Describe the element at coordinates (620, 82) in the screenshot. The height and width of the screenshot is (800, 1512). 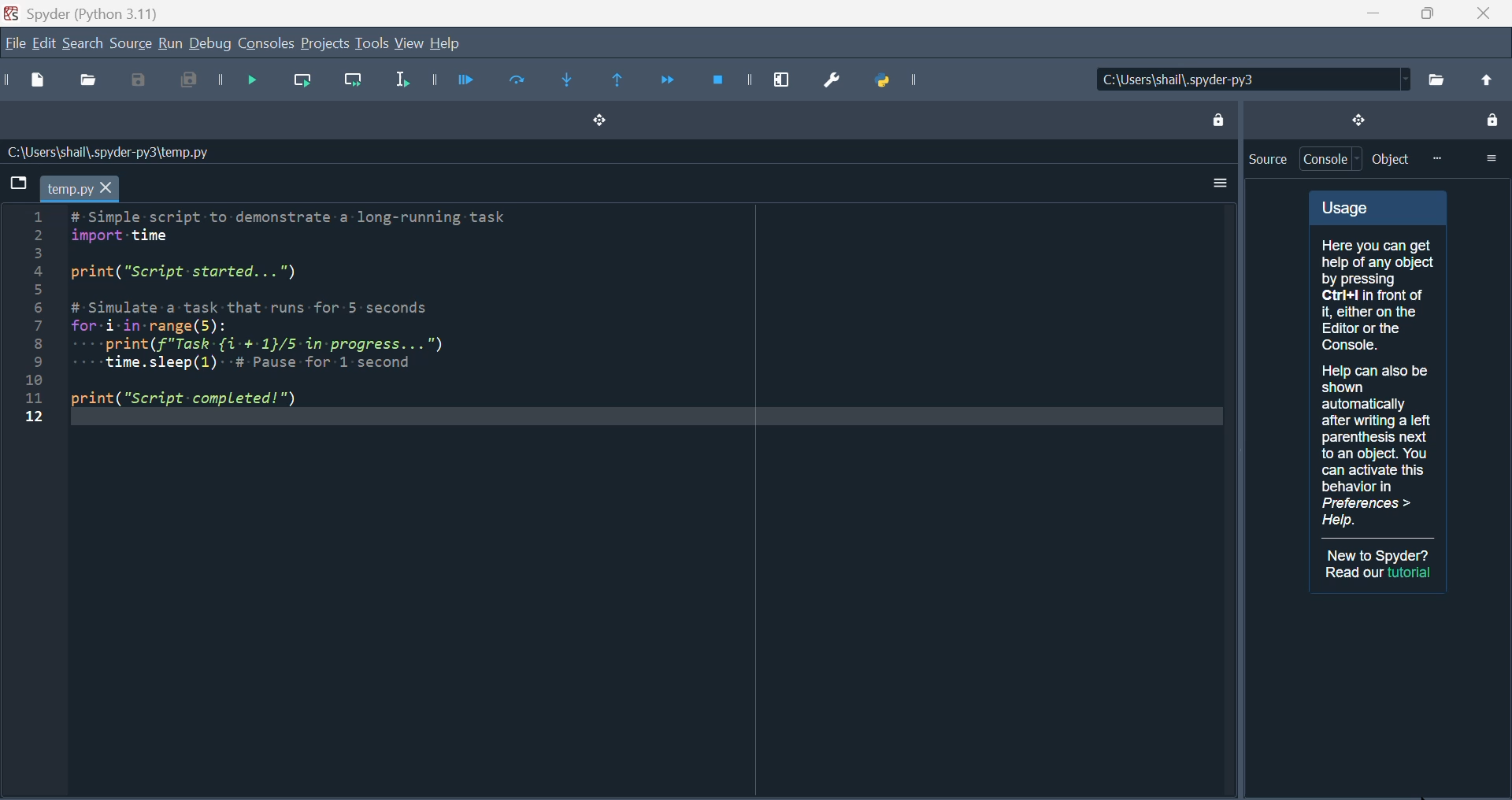
I see `Execute until same function returns` at that location.